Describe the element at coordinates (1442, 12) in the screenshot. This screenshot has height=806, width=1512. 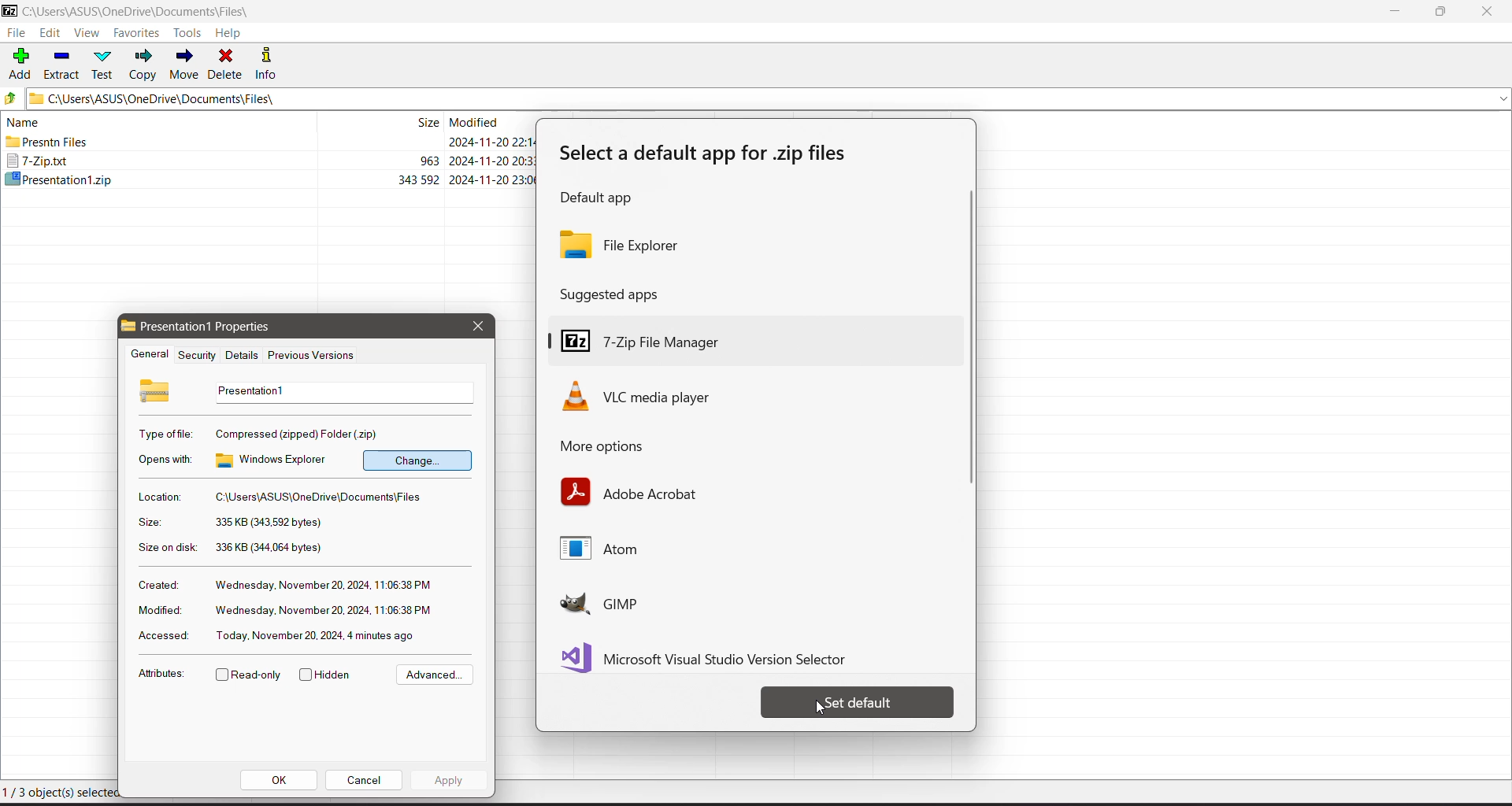
I see `Restore Down` at that location.